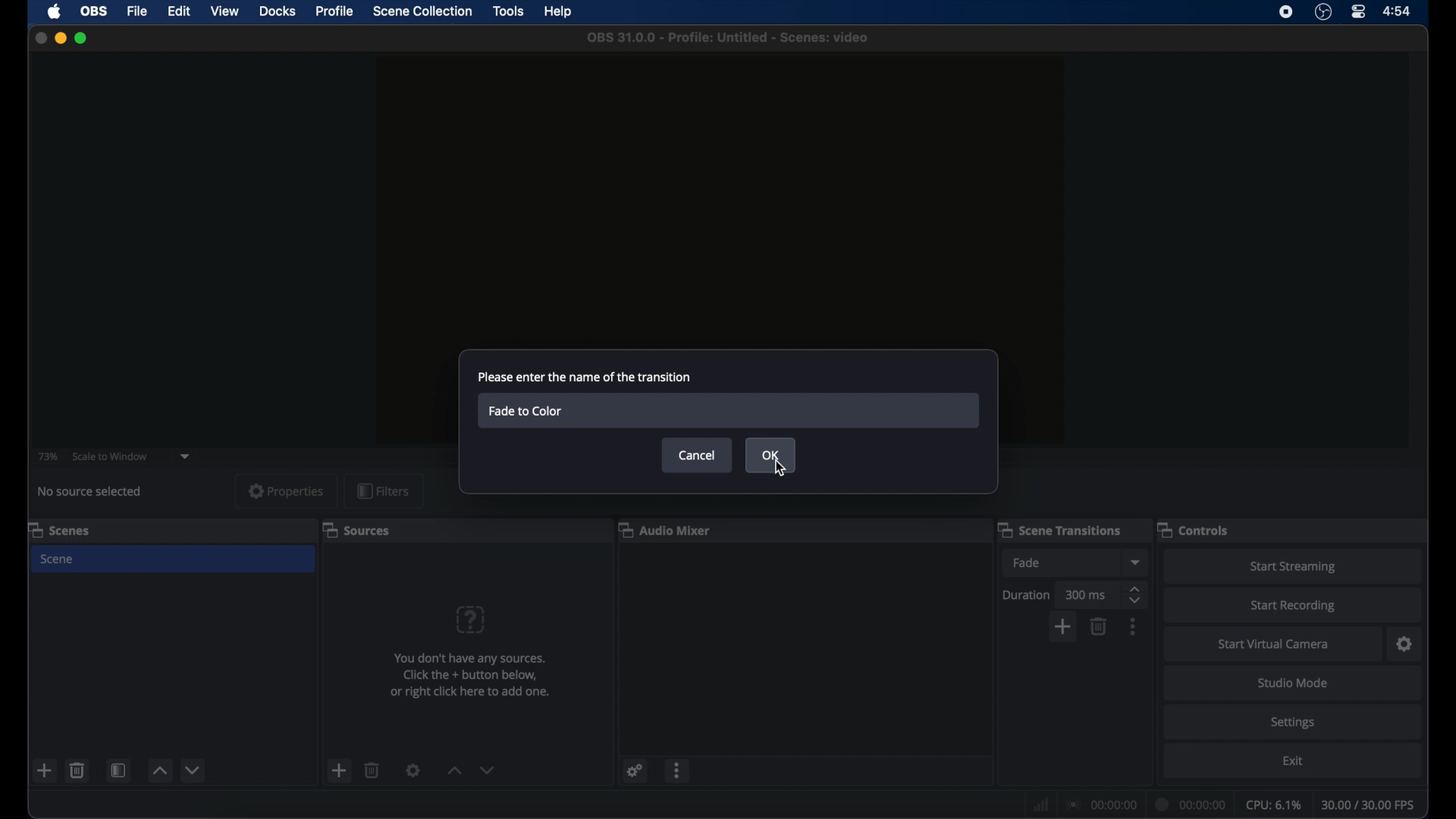 This screenshot has height=819, width=1456. Describe the element at coordinates (1100, 805) in the screenshot. I see `connection` at that location.